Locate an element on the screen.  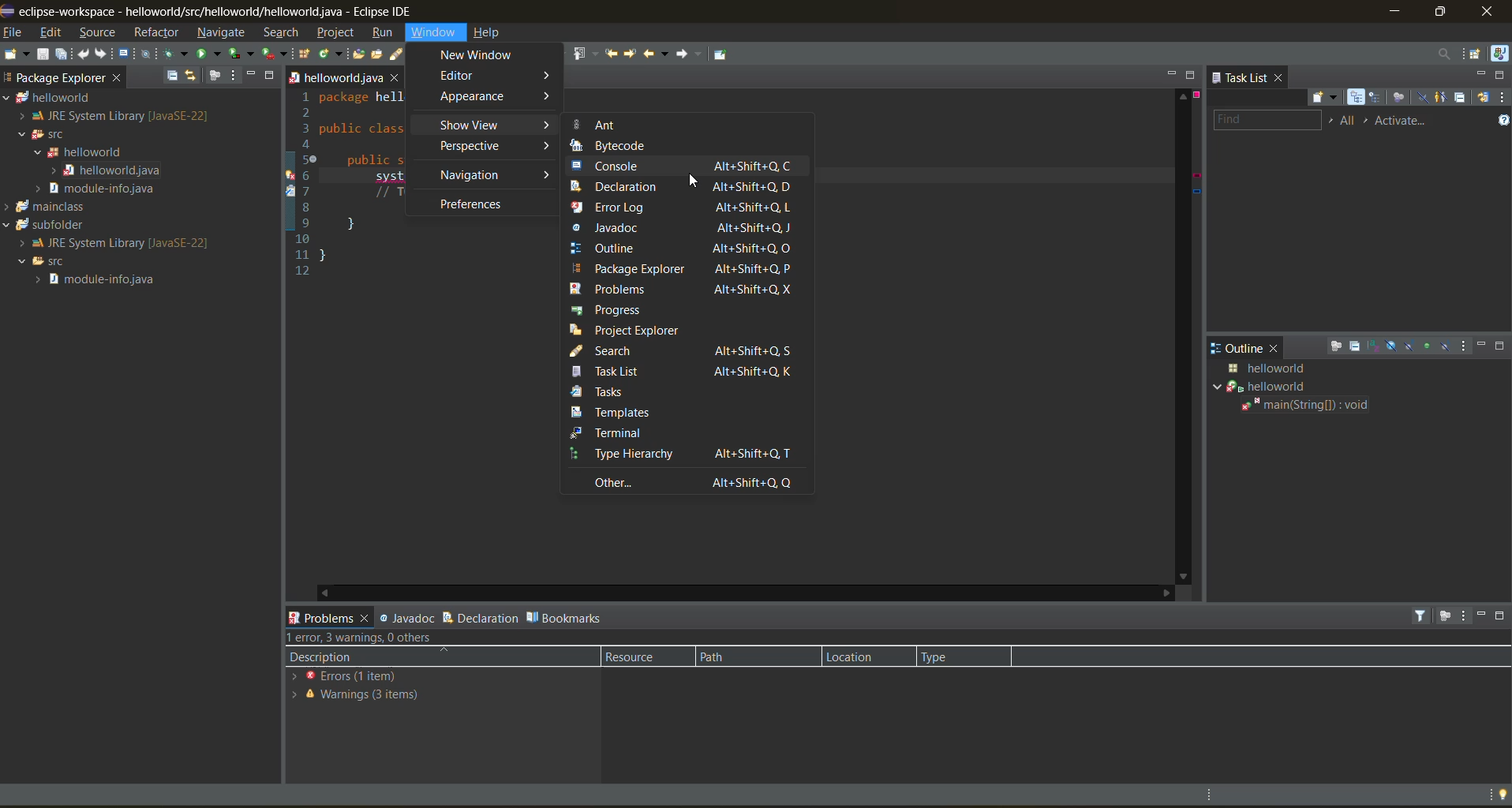
open a terminal is located at coordinates (128, 56).